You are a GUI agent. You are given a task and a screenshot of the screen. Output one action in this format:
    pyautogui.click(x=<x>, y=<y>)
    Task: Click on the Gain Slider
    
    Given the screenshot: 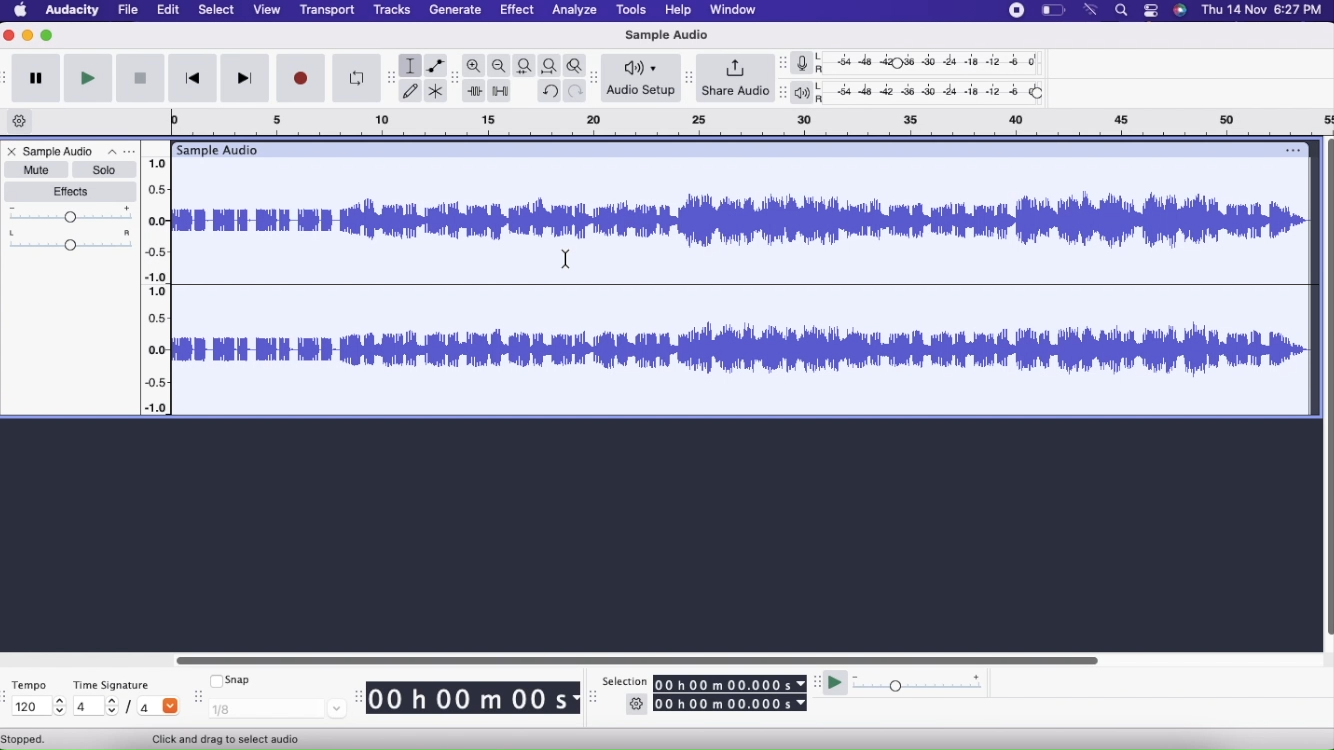 What is the action you would take?
    pyautogui.click(x=71, y=215)
    